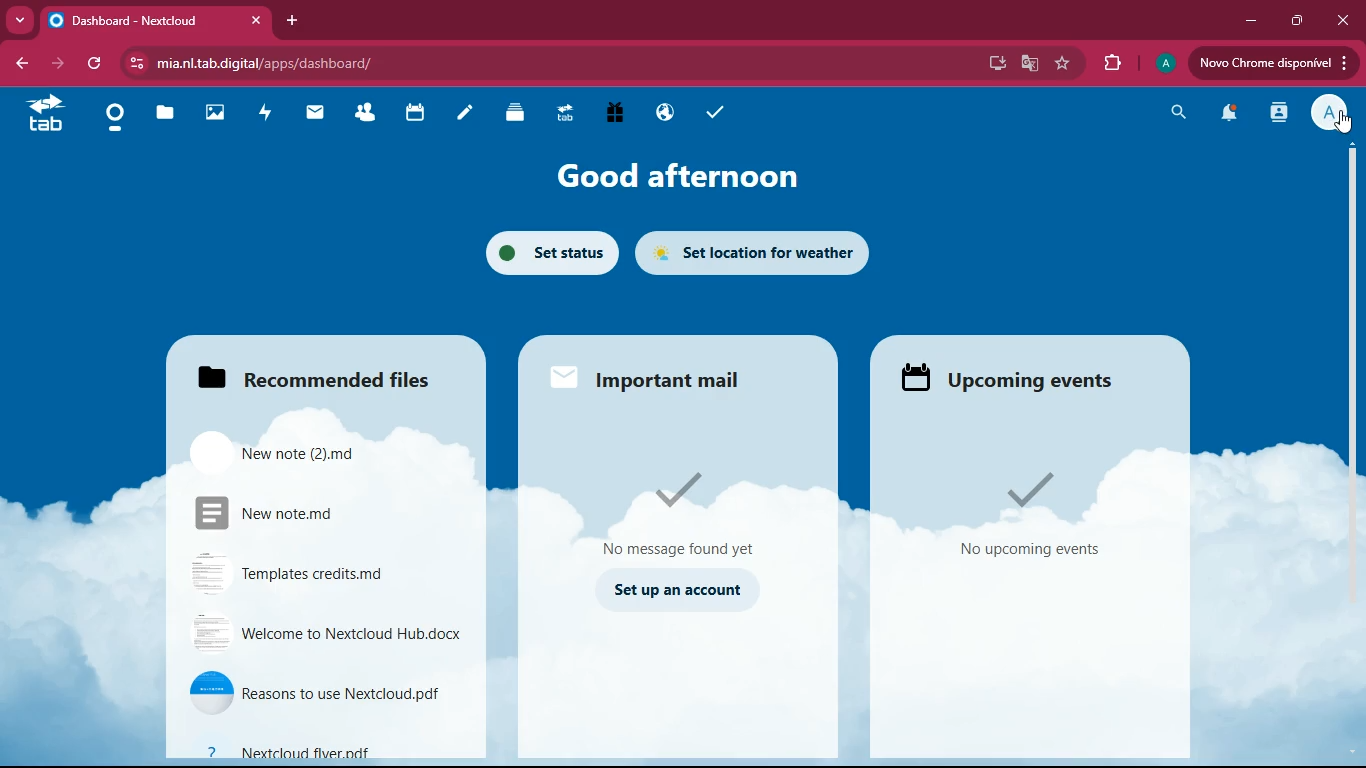  What do you see at coordinates (1223, 116) in the screenshot?
I see `notification` at bounding box center [1223, 116].